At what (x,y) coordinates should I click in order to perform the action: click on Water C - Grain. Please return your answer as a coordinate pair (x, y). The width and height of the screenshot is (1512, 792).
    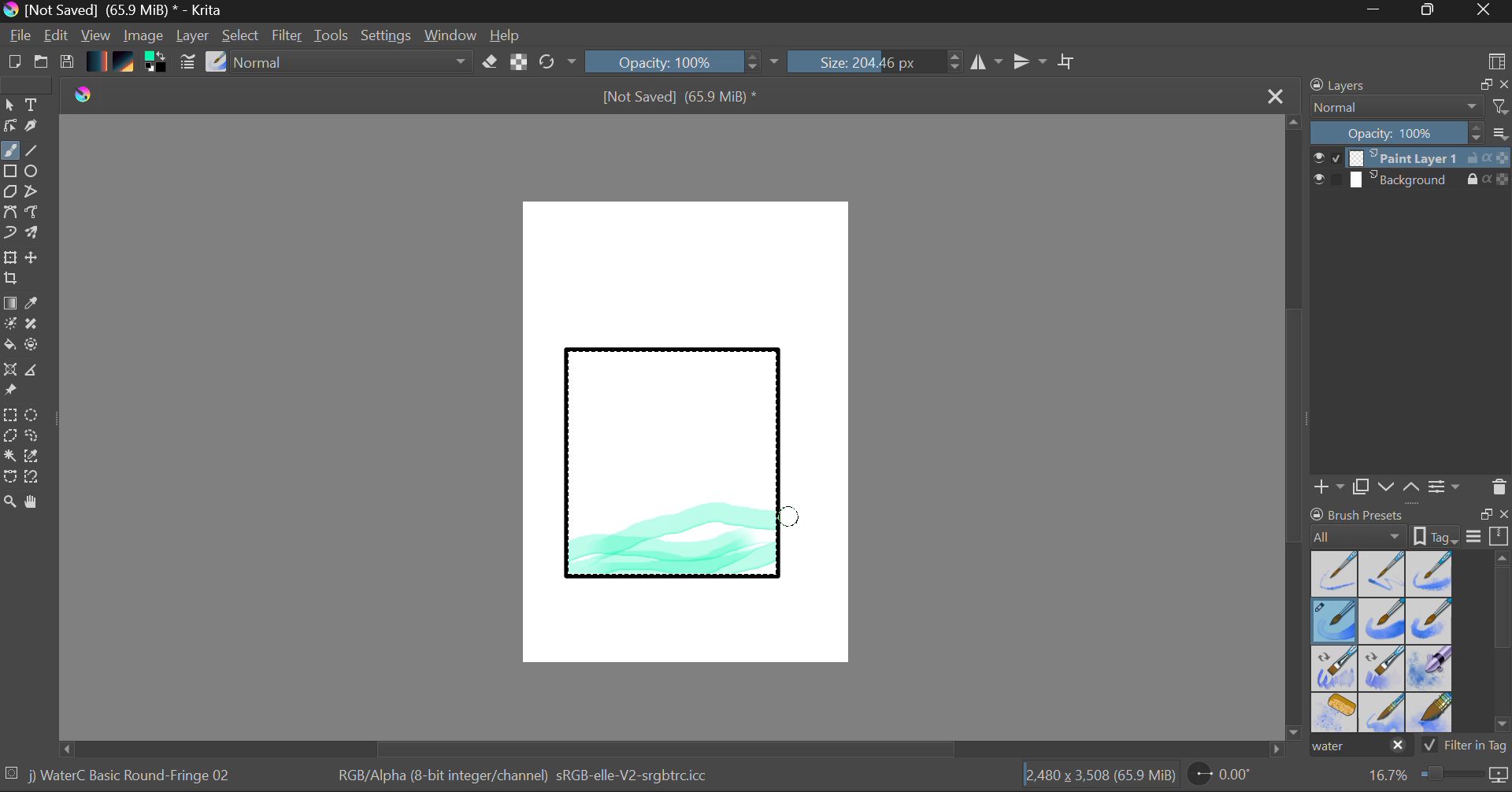
    Looking at the image, I should click on (1383, 622).